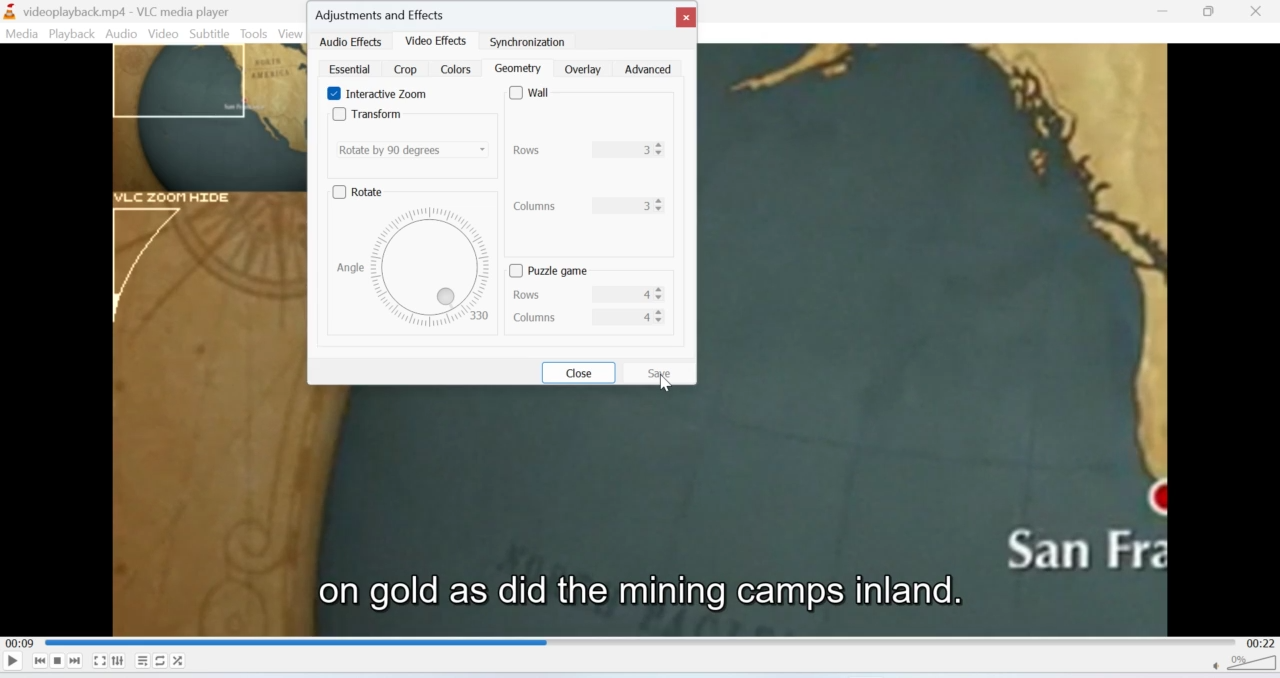 Image resolution: width=1280 pixels, height=678 pixels. Describe the element at coordinates (100, 662) in the screenshot. I see `Fullscreen` at that location.